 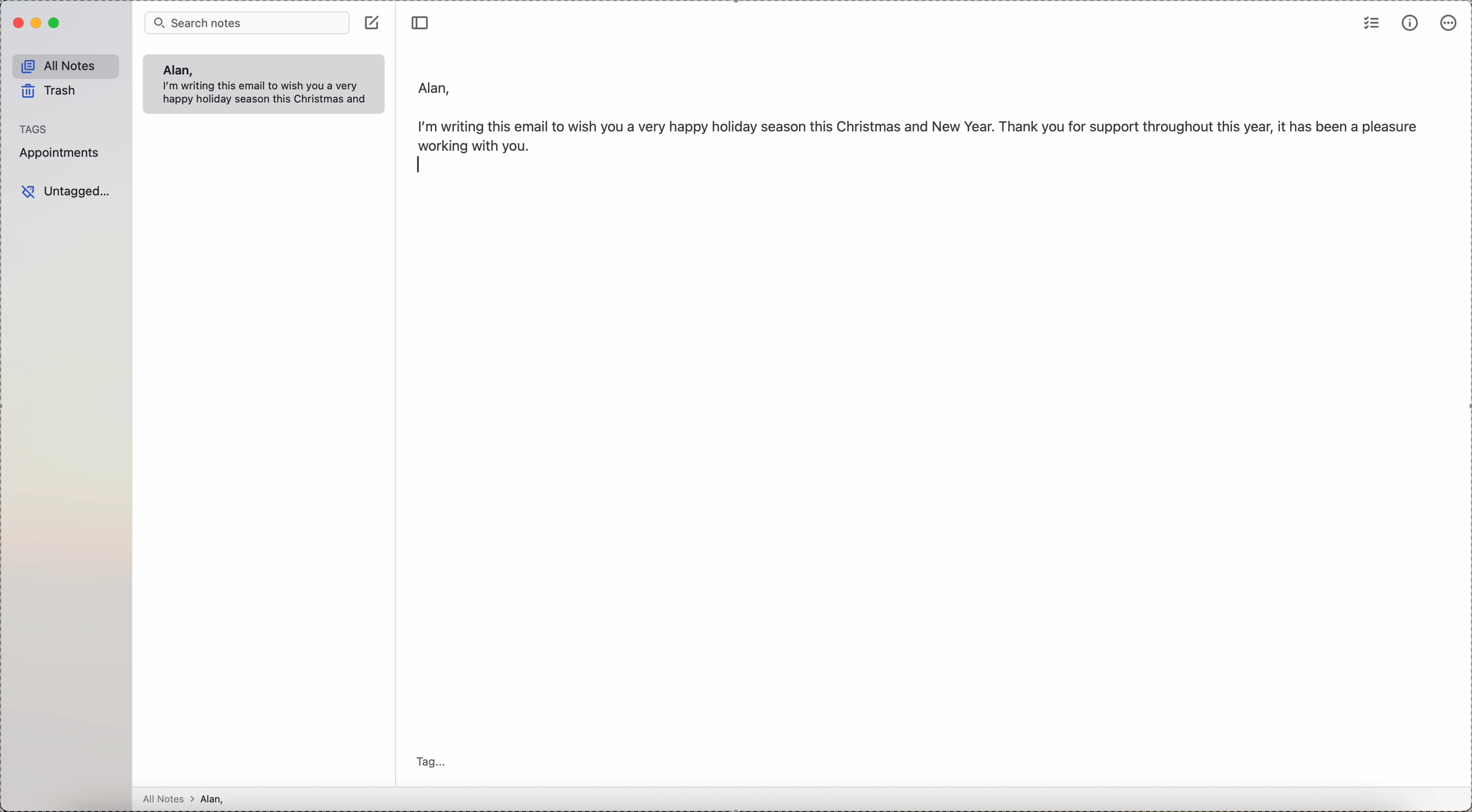 I want to click on all notes > Alan,, so click(x=187, y=799).